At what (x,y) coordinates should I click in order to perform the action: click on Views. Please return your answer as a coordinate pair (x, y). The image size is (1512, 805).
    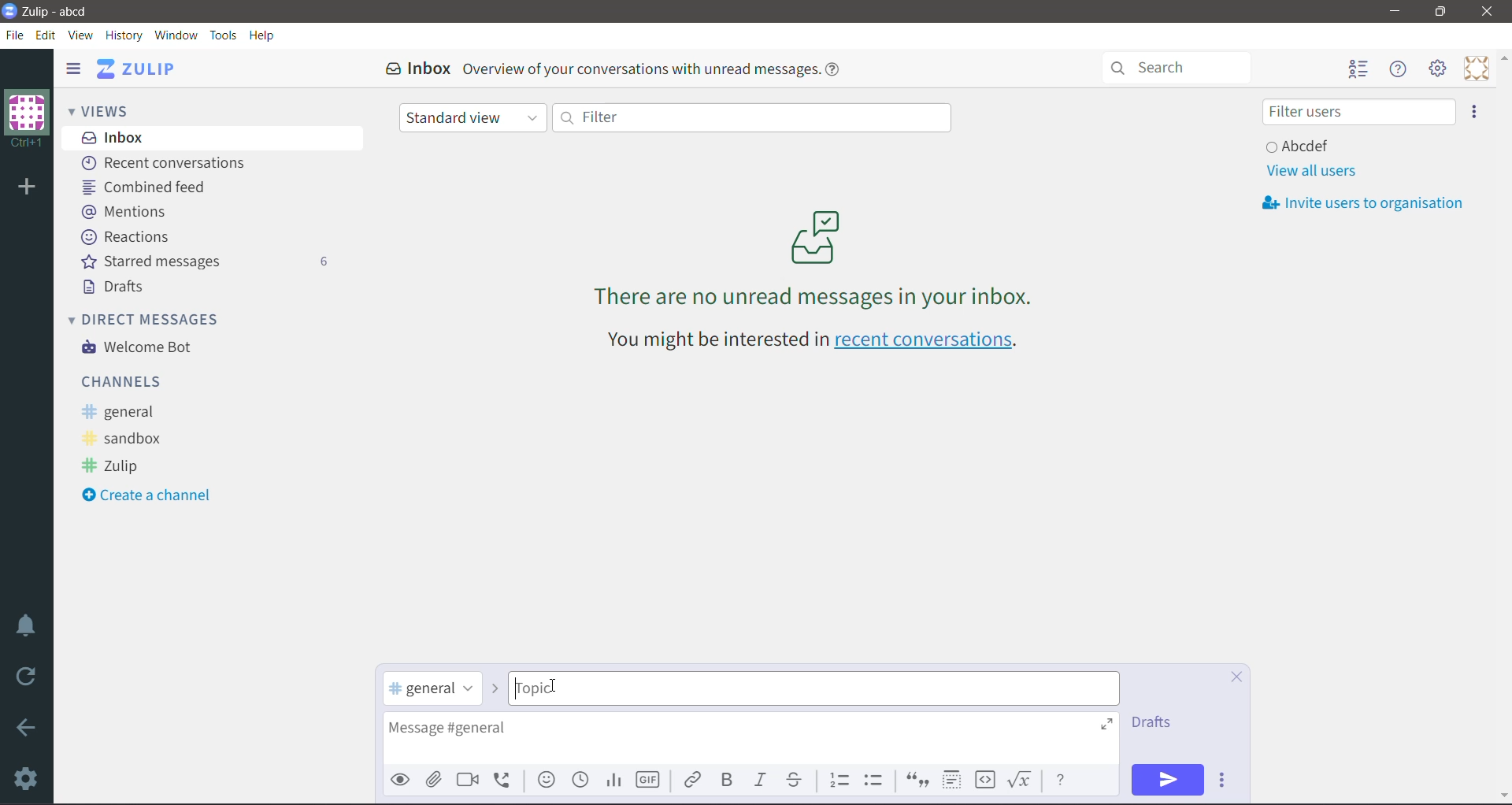
    Looking at the image, I should click on (110, 109).